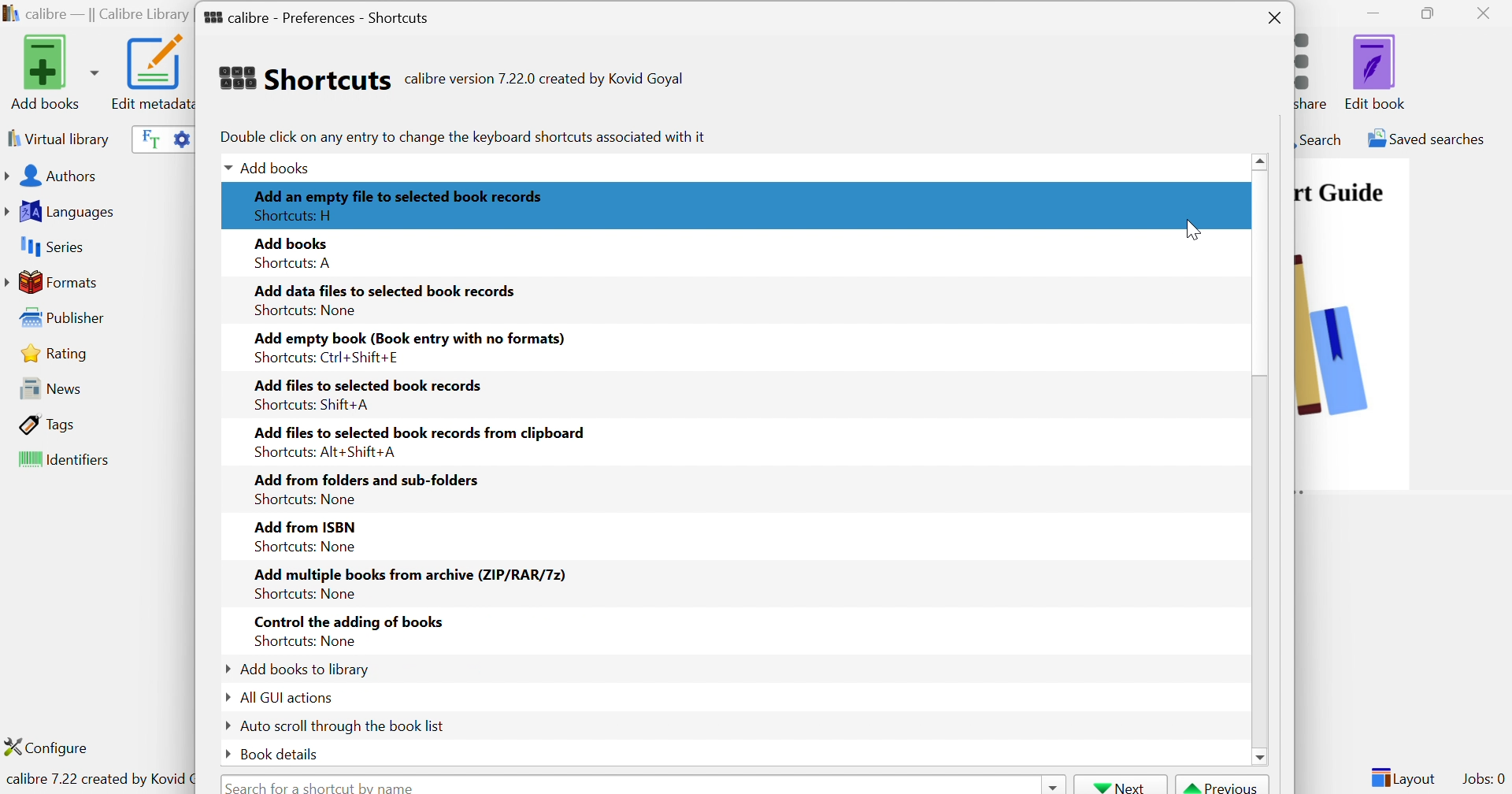 This screenshot has height=794, width=1512. What do you see at coordinates (57, 353) in the screenshot?
I see `Rating` at bounding box center [57, 353].